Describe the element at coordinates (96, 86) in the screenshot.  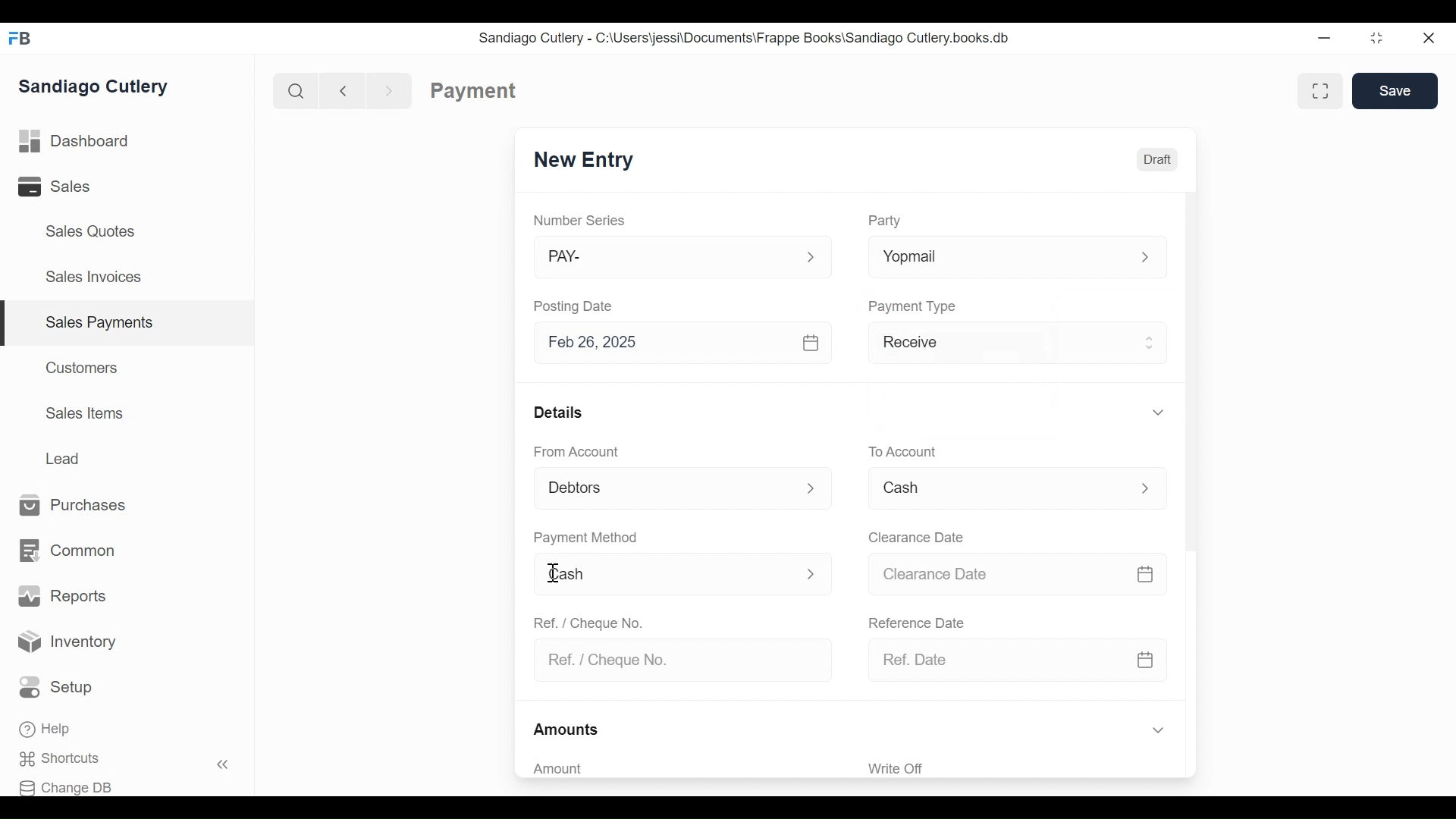
I see `Sandiago Cutlery` at that location.